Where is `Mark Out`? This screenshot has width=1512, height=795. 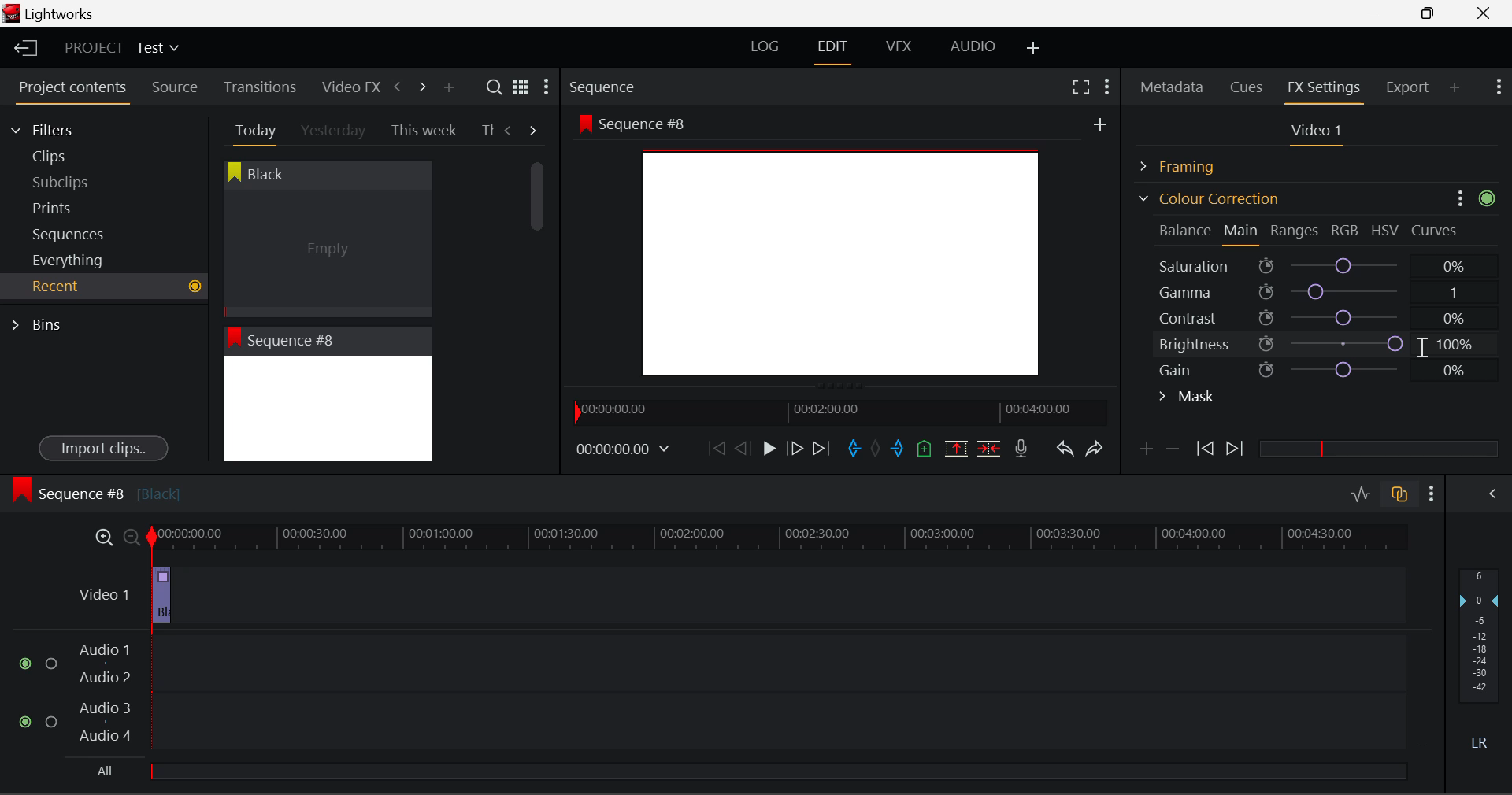
Mark Out is located at coordinates (899, 449).